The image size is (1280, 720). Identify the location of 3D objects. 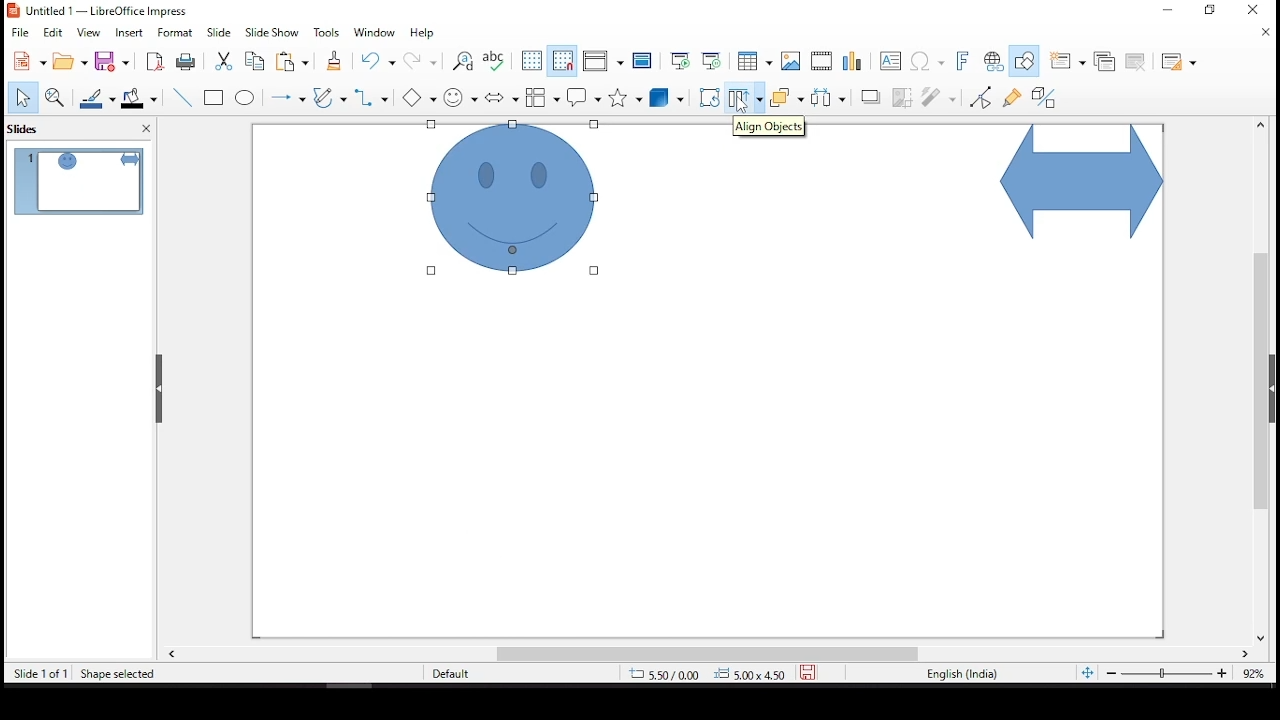
(667, 99).